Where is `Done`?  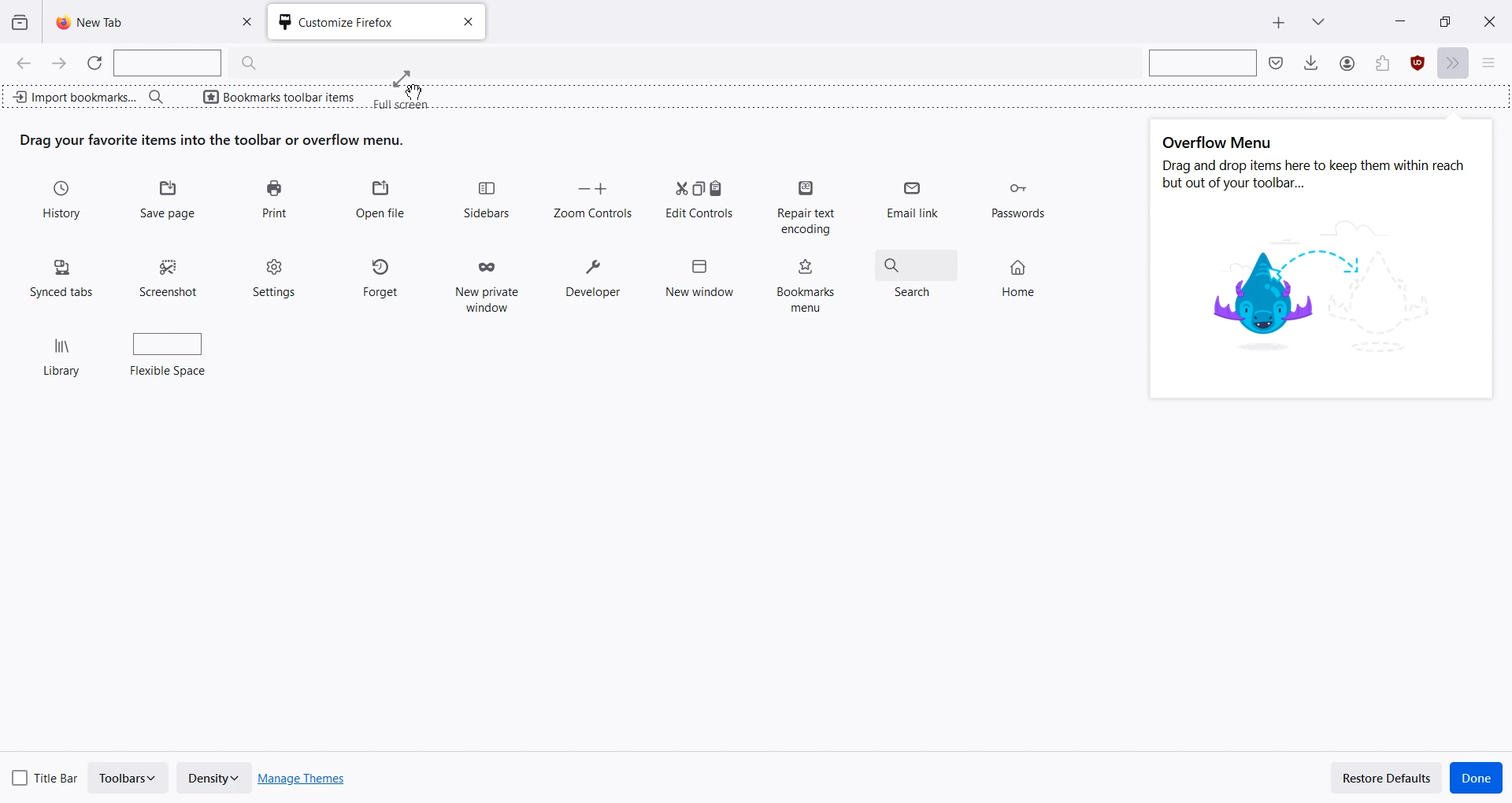
Done is located at coordinates (1477, 778).